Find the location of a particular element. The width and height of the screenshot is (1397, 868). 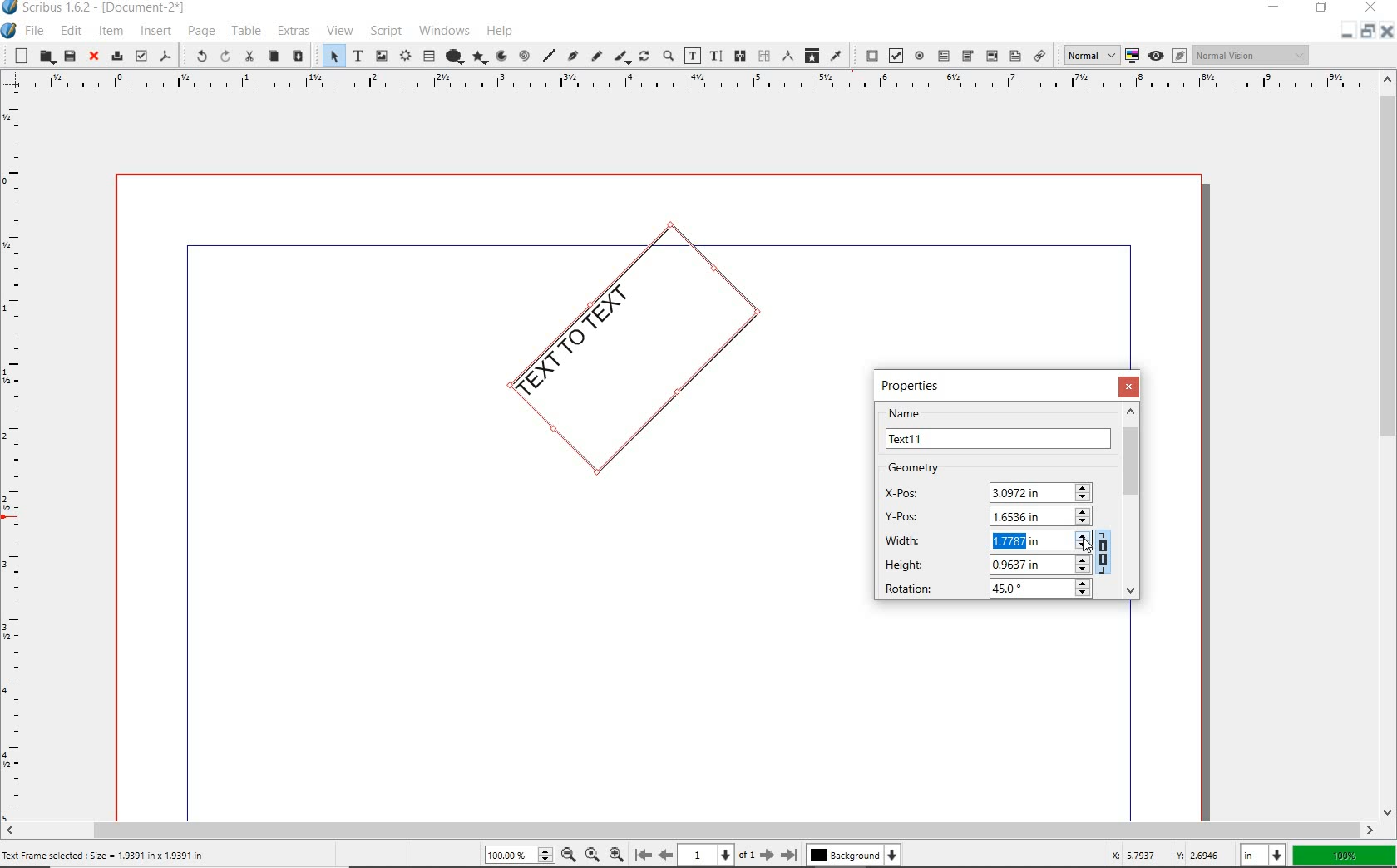

current page is located at coordinates (720, 855).